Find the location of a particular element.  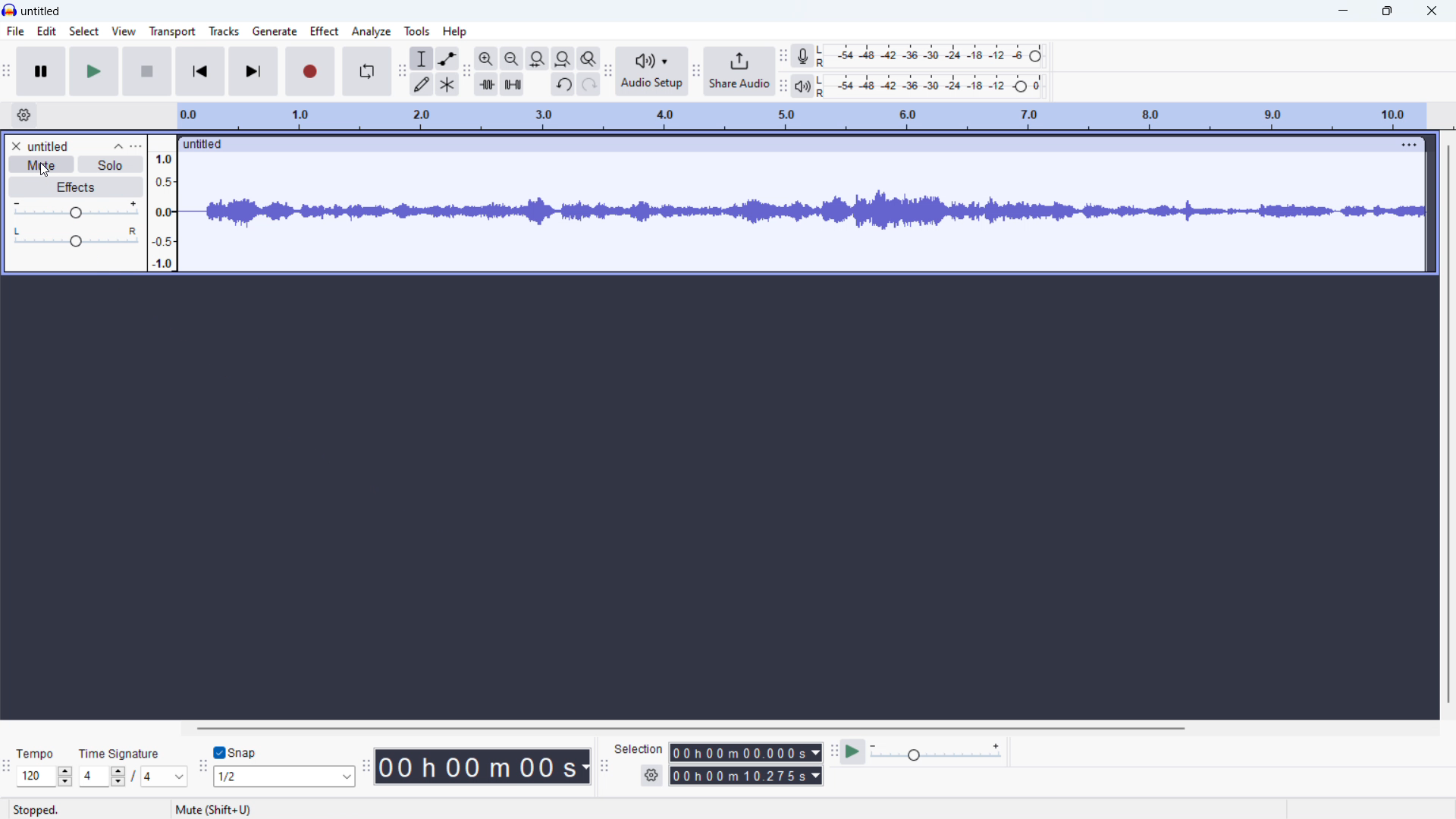

toggle snap is located at coordinates (236, 752).